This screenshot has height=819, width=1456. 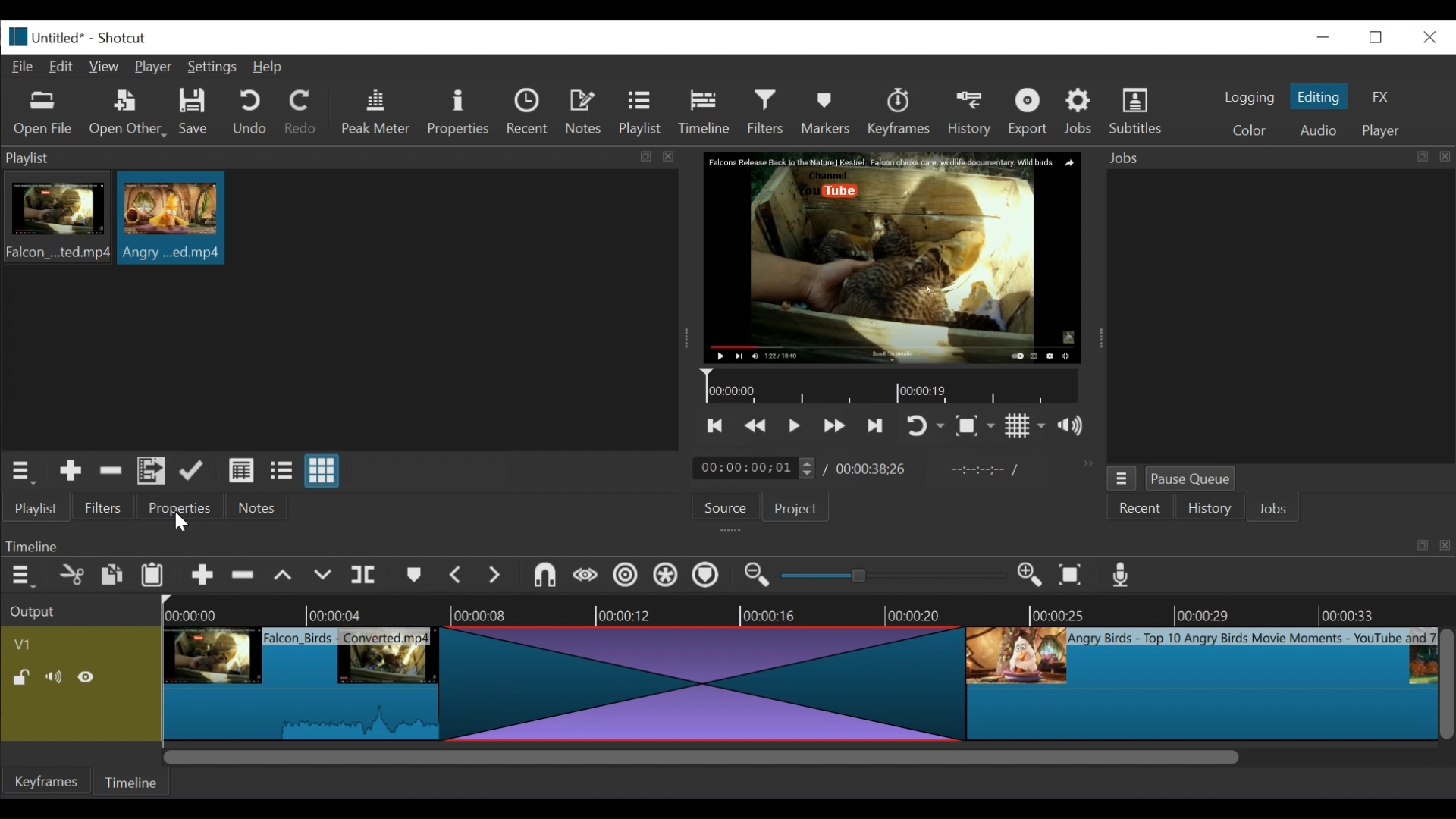 I want to click on Subtitles, so click(x=1136, y=111).